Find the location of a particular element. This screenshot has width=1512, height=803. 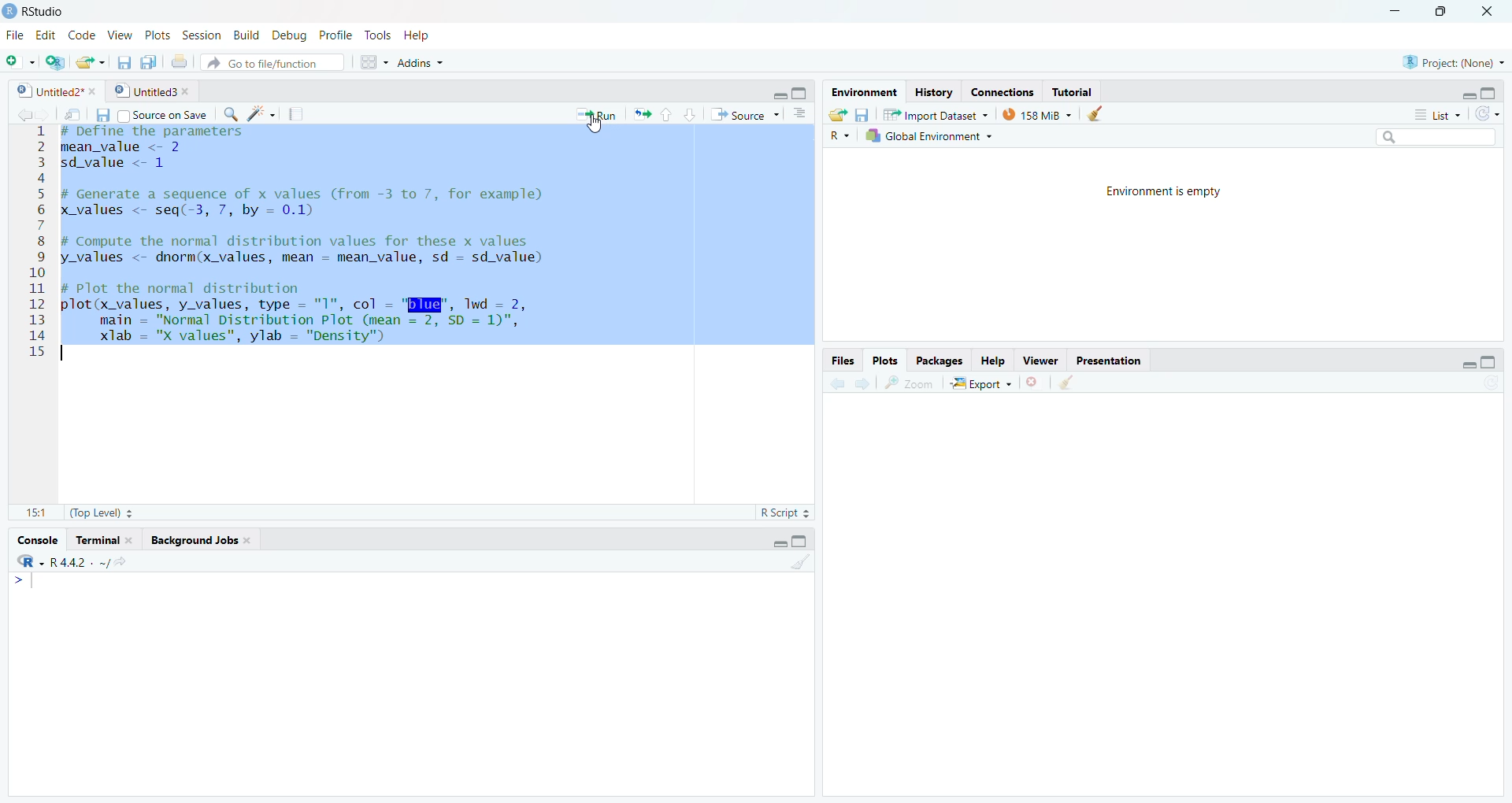

open file is located at coordinates (87, 61).